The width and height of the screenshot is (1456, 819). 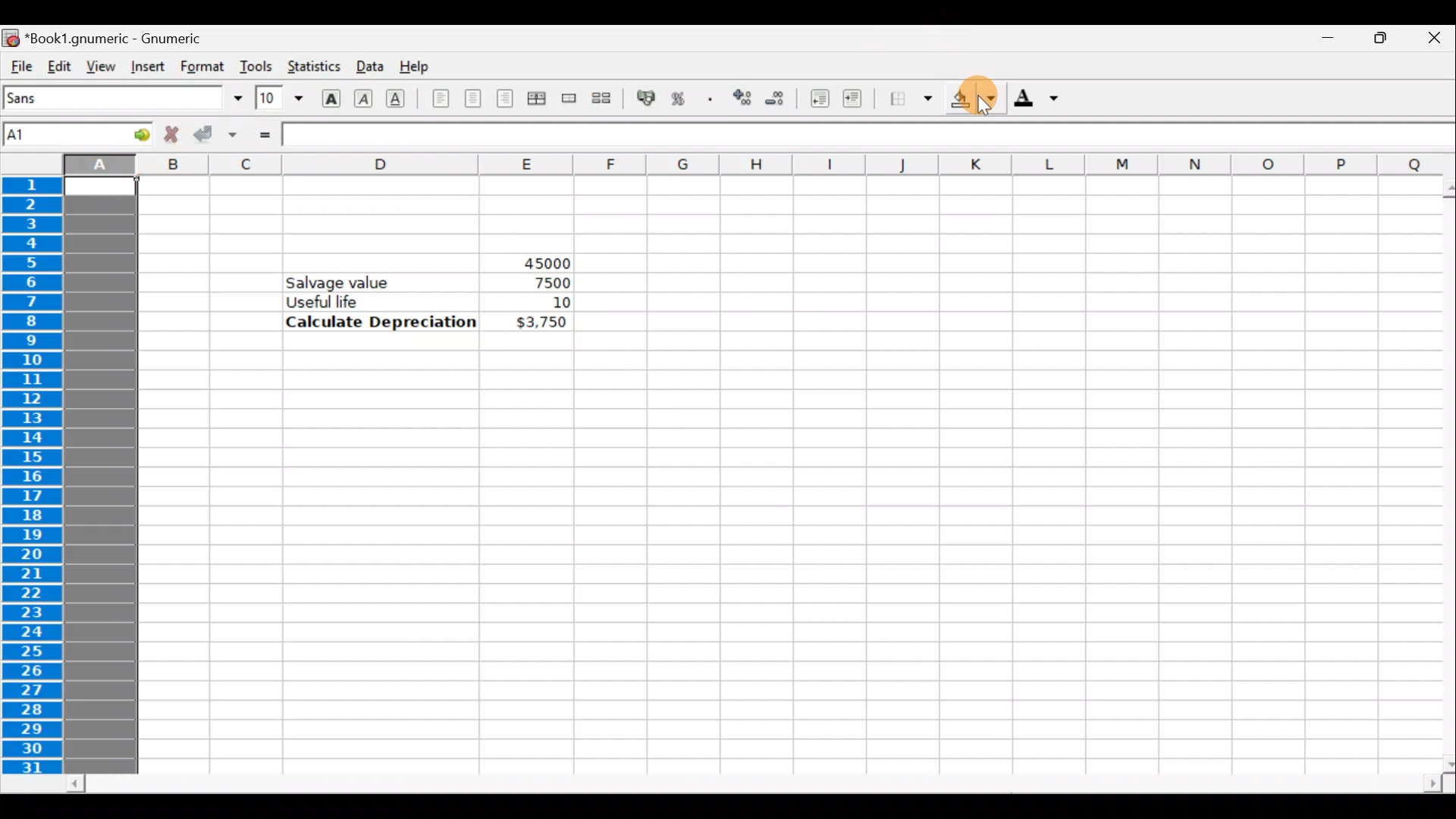 I want to click on Column A selected, so click(x=100, y=475).